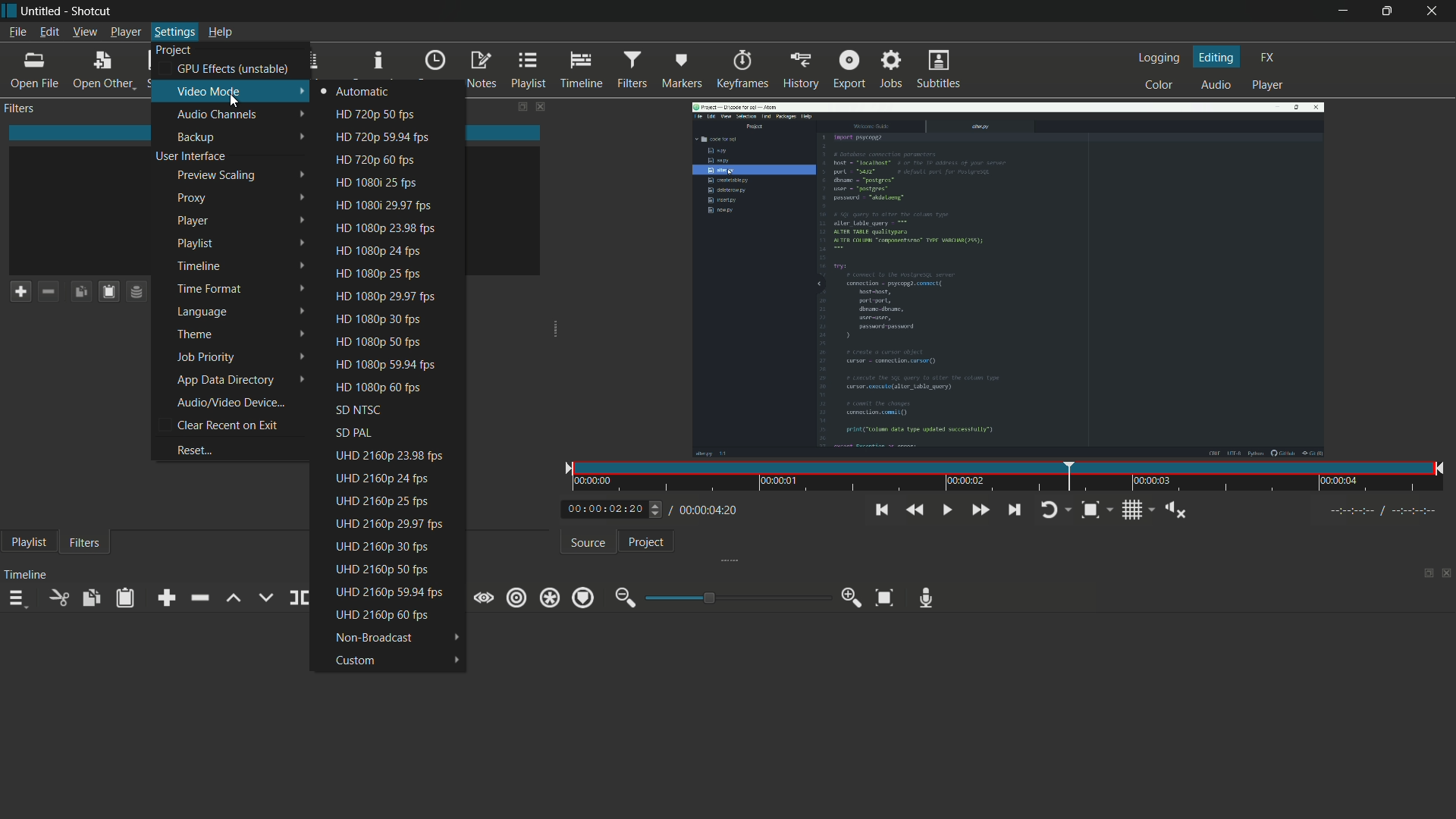 The width and height of the screenshot is (1456, 819). I want to click on zoom timeline to fit, so click(884, 598).